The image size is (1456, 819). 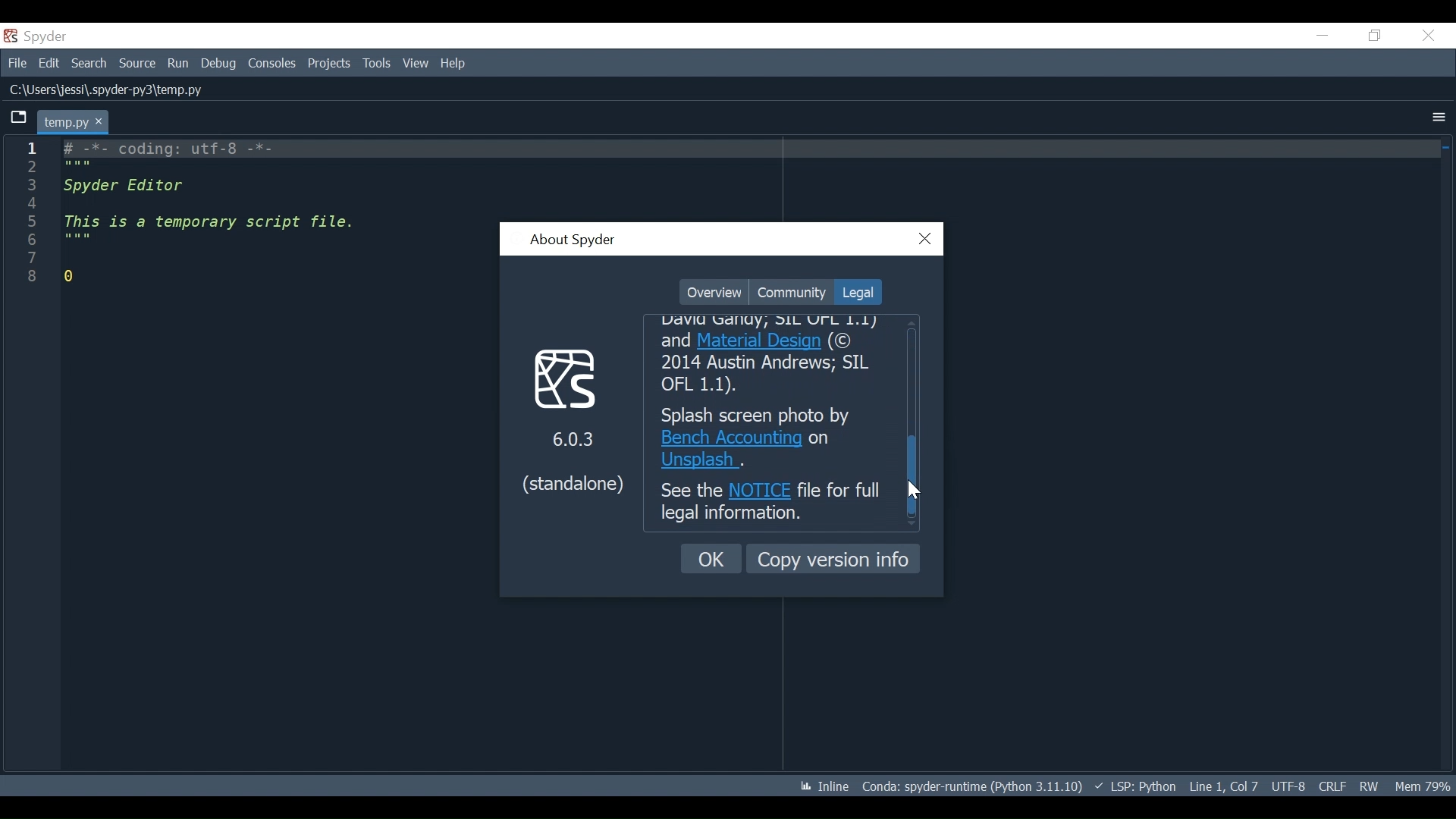 I want to click on Current tab, so click(x=74, y=121).